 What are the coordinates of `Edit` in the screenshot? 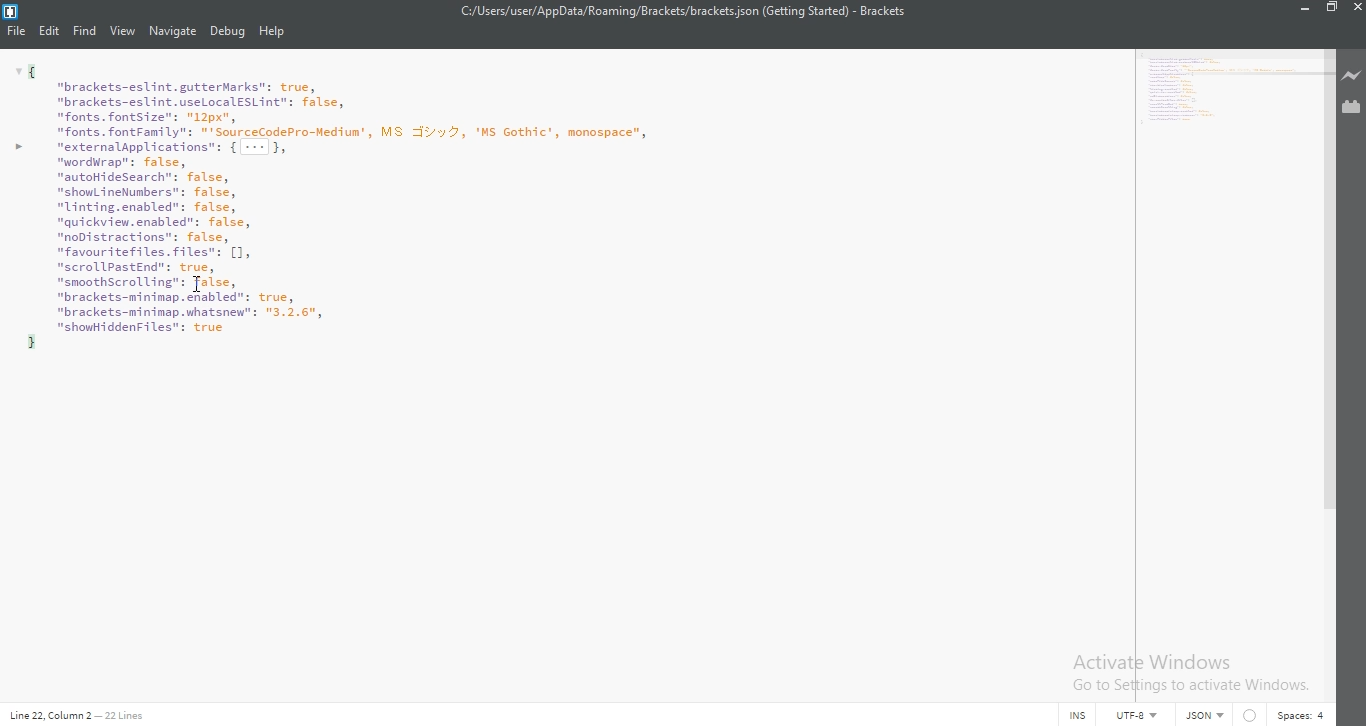 It's located at (49, 32).